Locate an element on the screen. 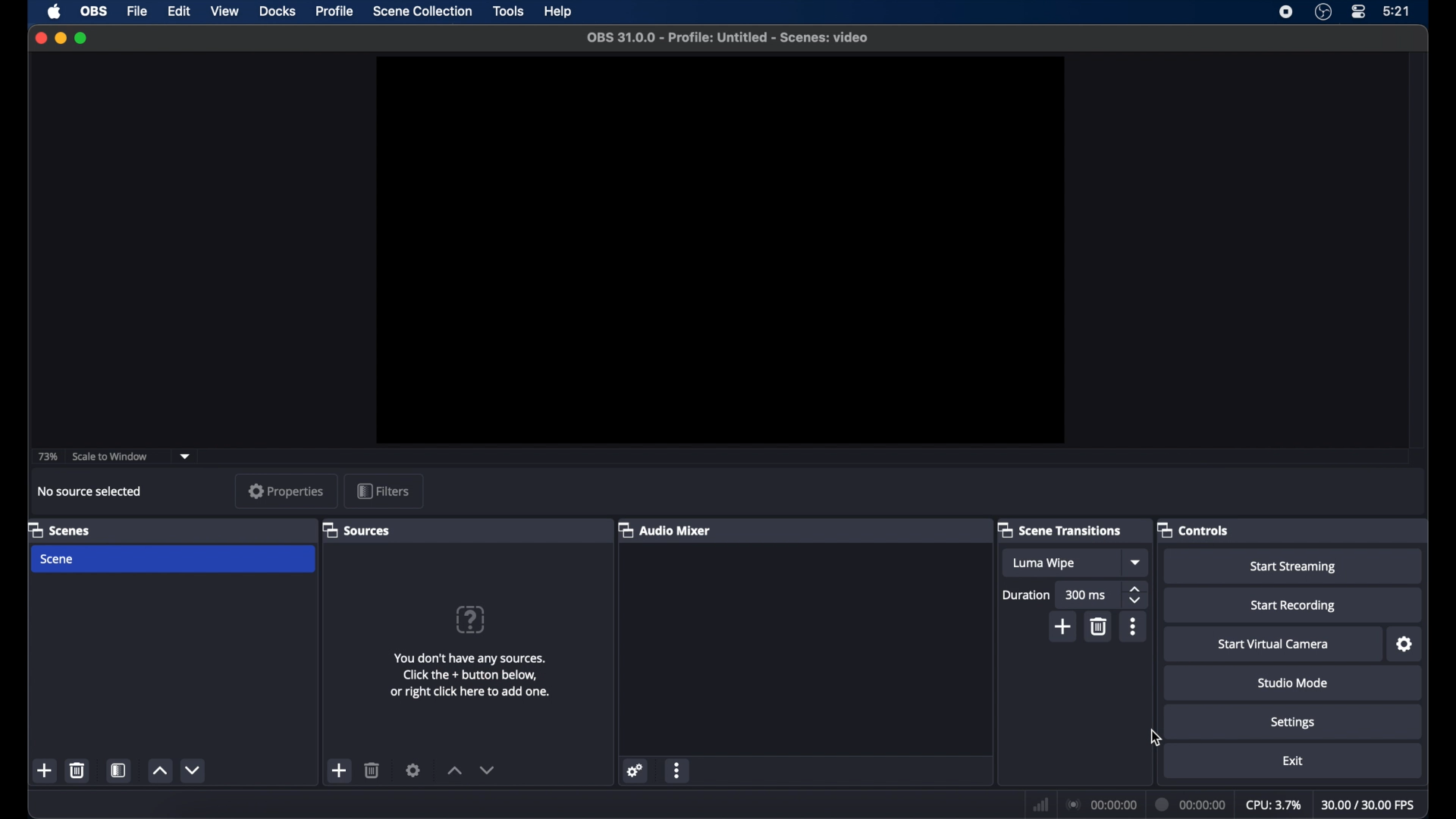 The width and height of the screenshot is (1456, 819). delete is located at coordinates (373, 770).